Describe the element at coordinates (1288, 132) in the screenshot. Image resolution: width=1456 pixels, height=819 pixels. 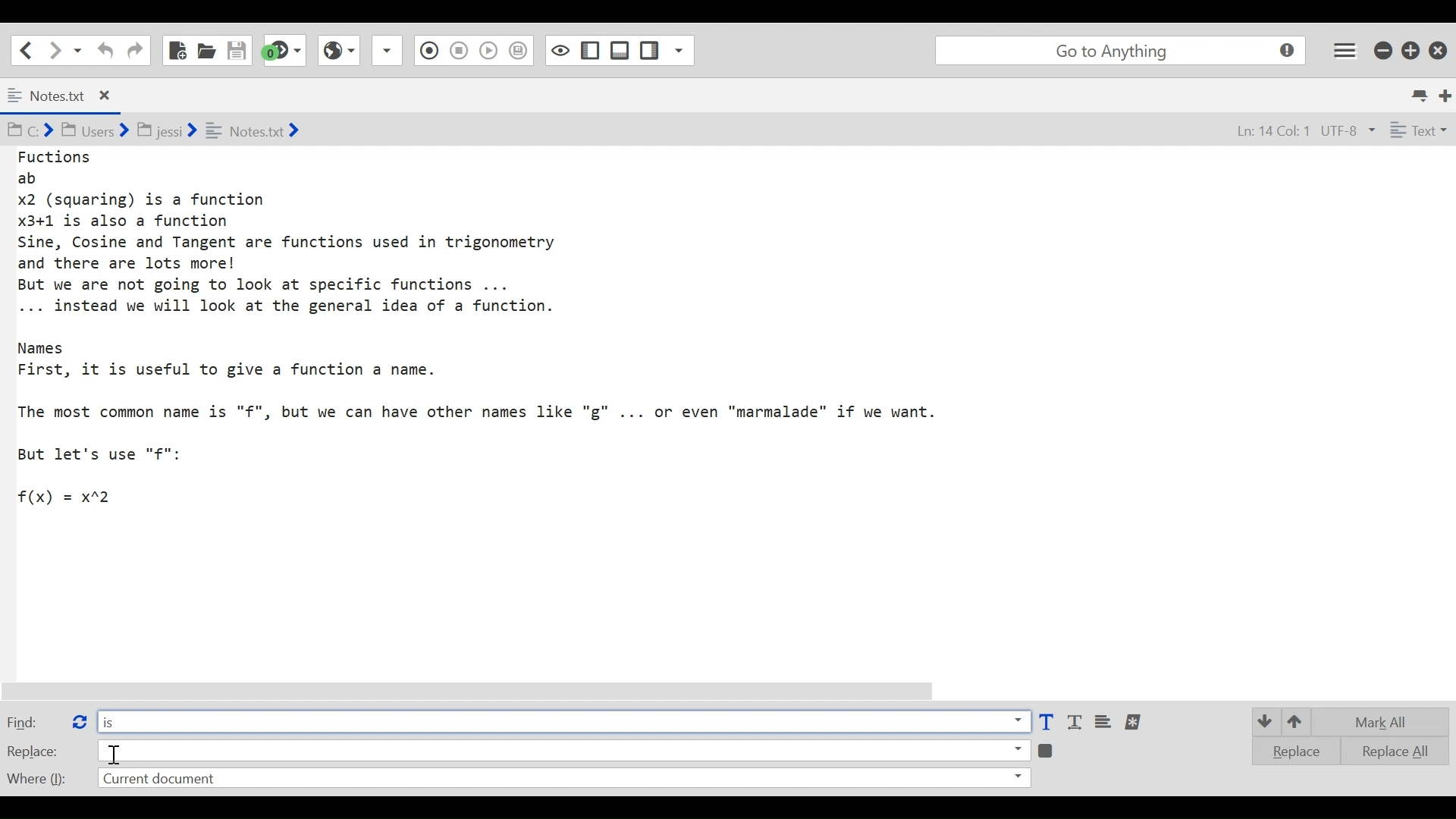
I see `Ln: 17 Col: 11 UTF-8` at that location.